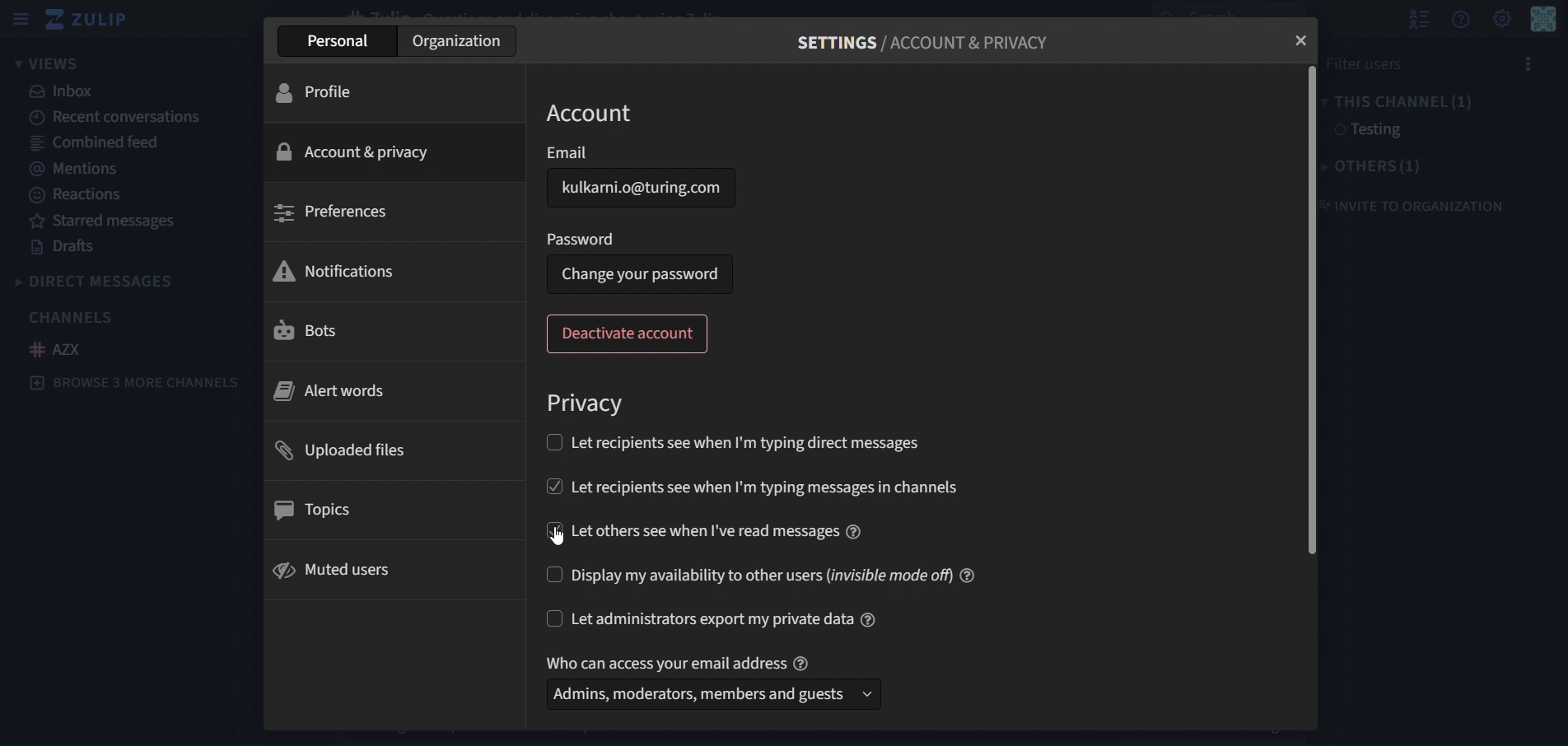  What do you see at coordinates (314, 332) in the screenshot?
I see `bots` at bounding box center [314, 332].